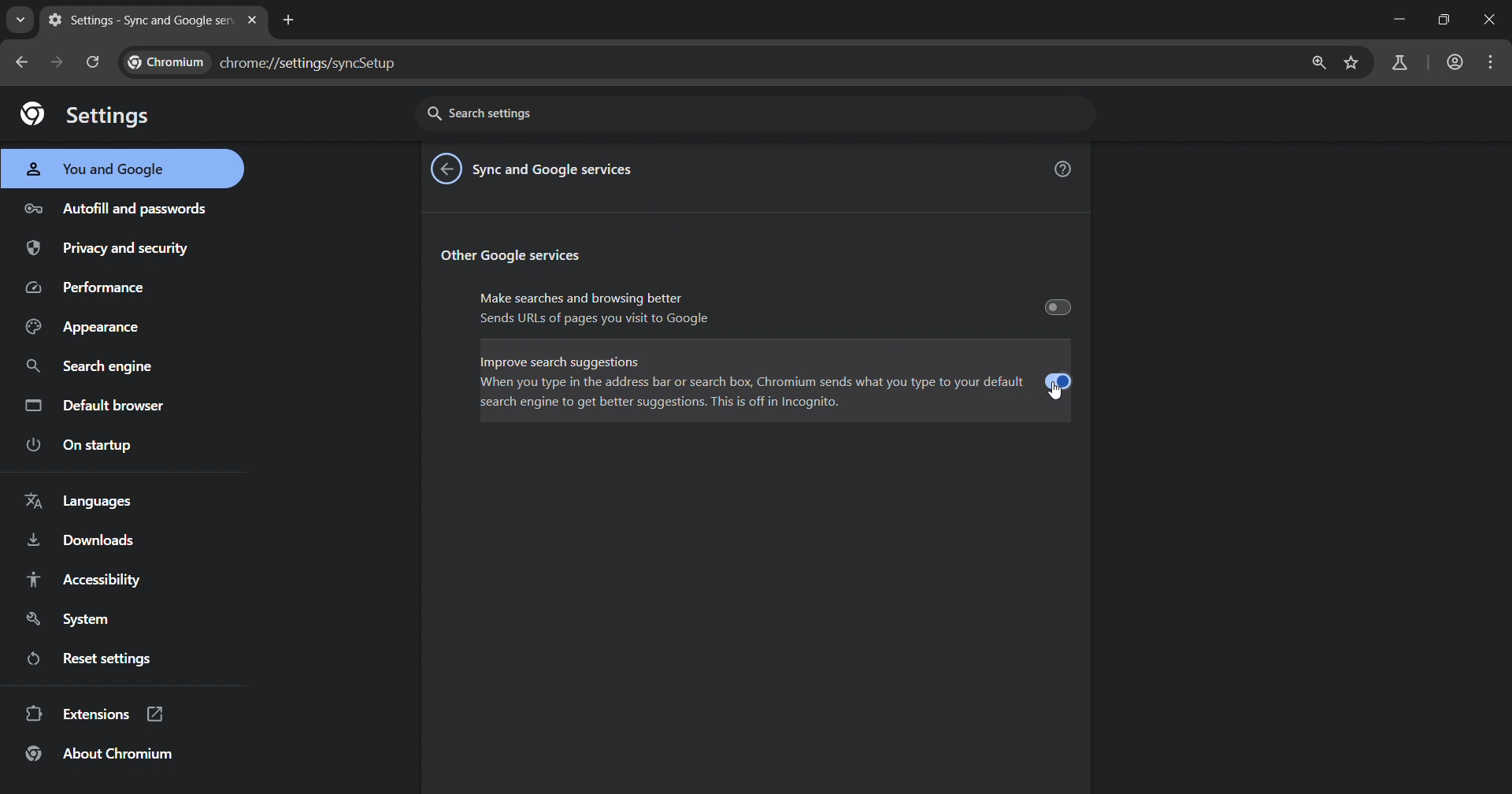 The image size is (1512, 794). I want to click on account, so click(1454, 63).